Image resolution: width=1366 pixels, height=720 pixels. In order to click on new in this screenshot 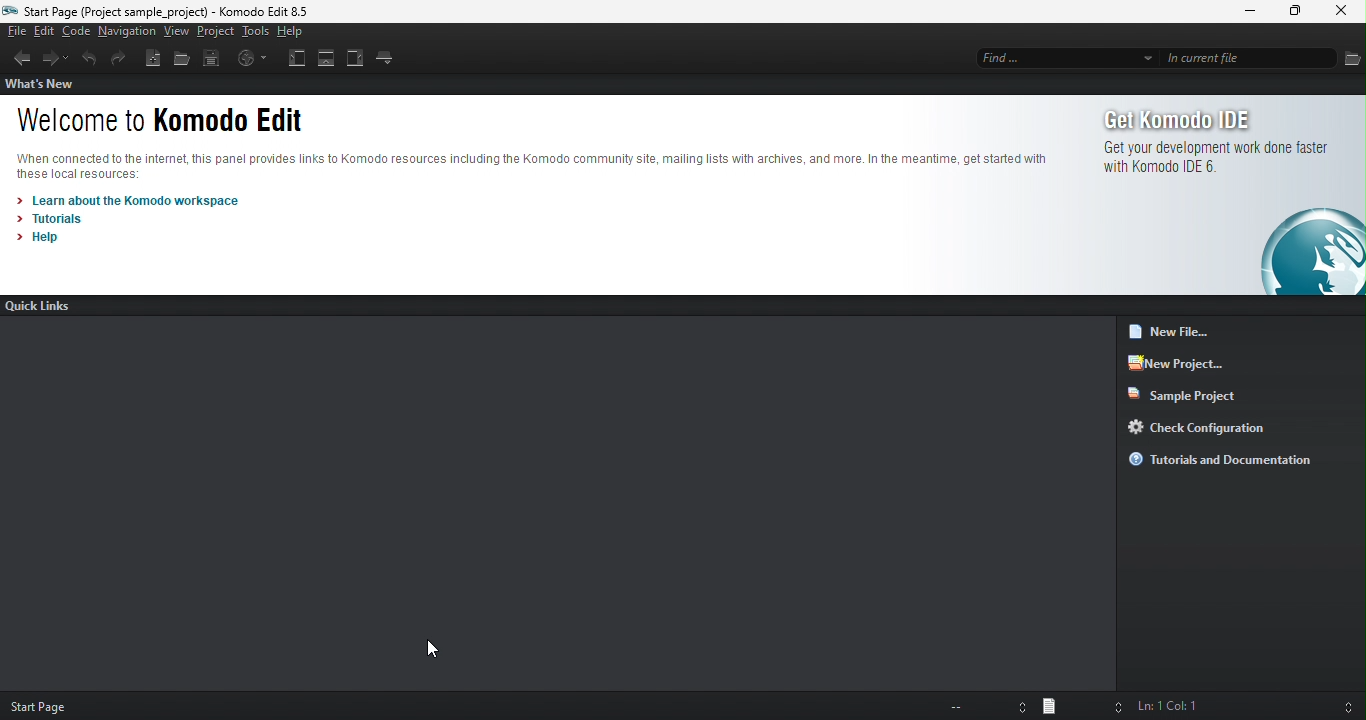, I will do `click(153, 56)`.